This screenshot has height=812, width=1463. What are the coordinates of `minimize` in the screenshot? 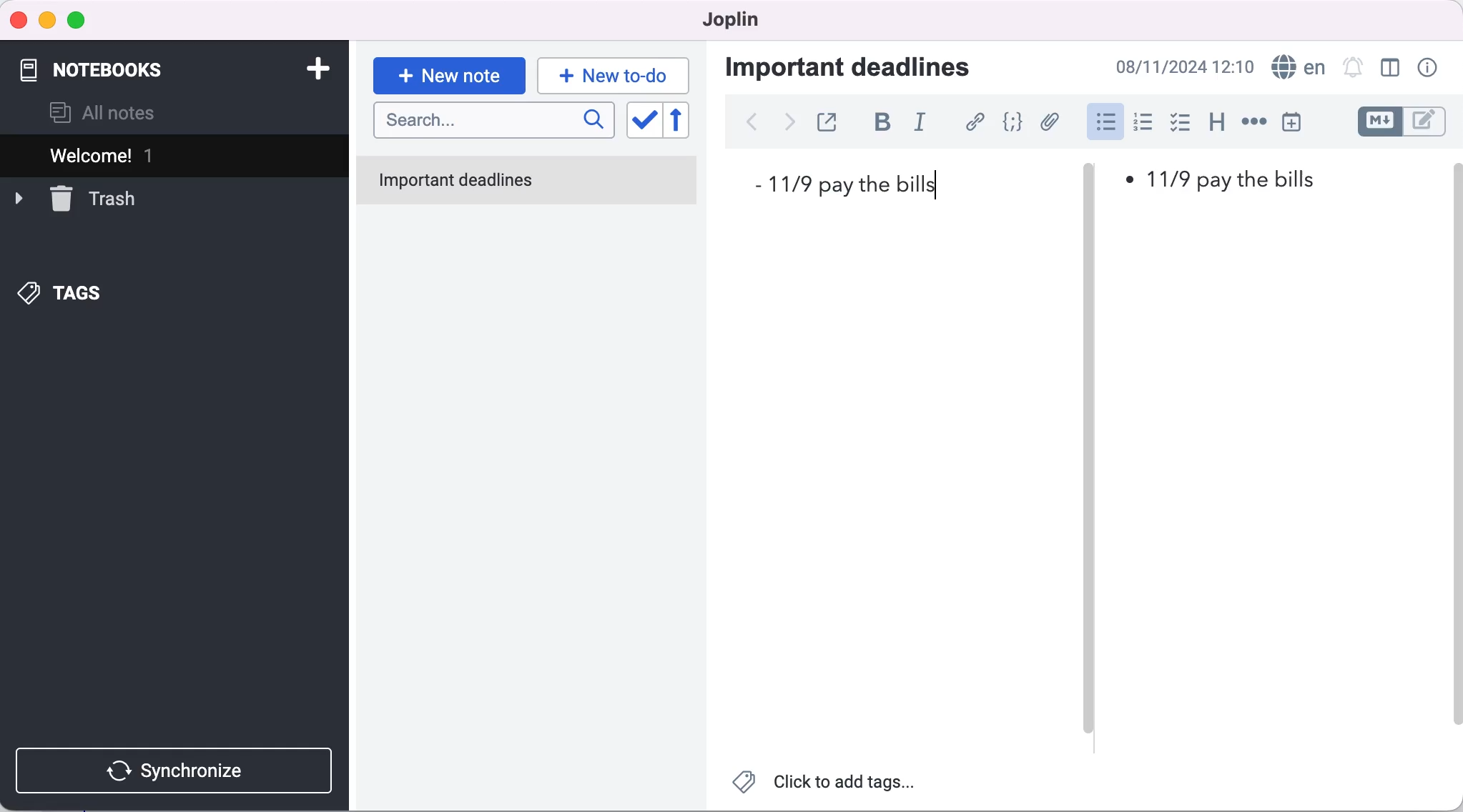 It's located at (49, 19).